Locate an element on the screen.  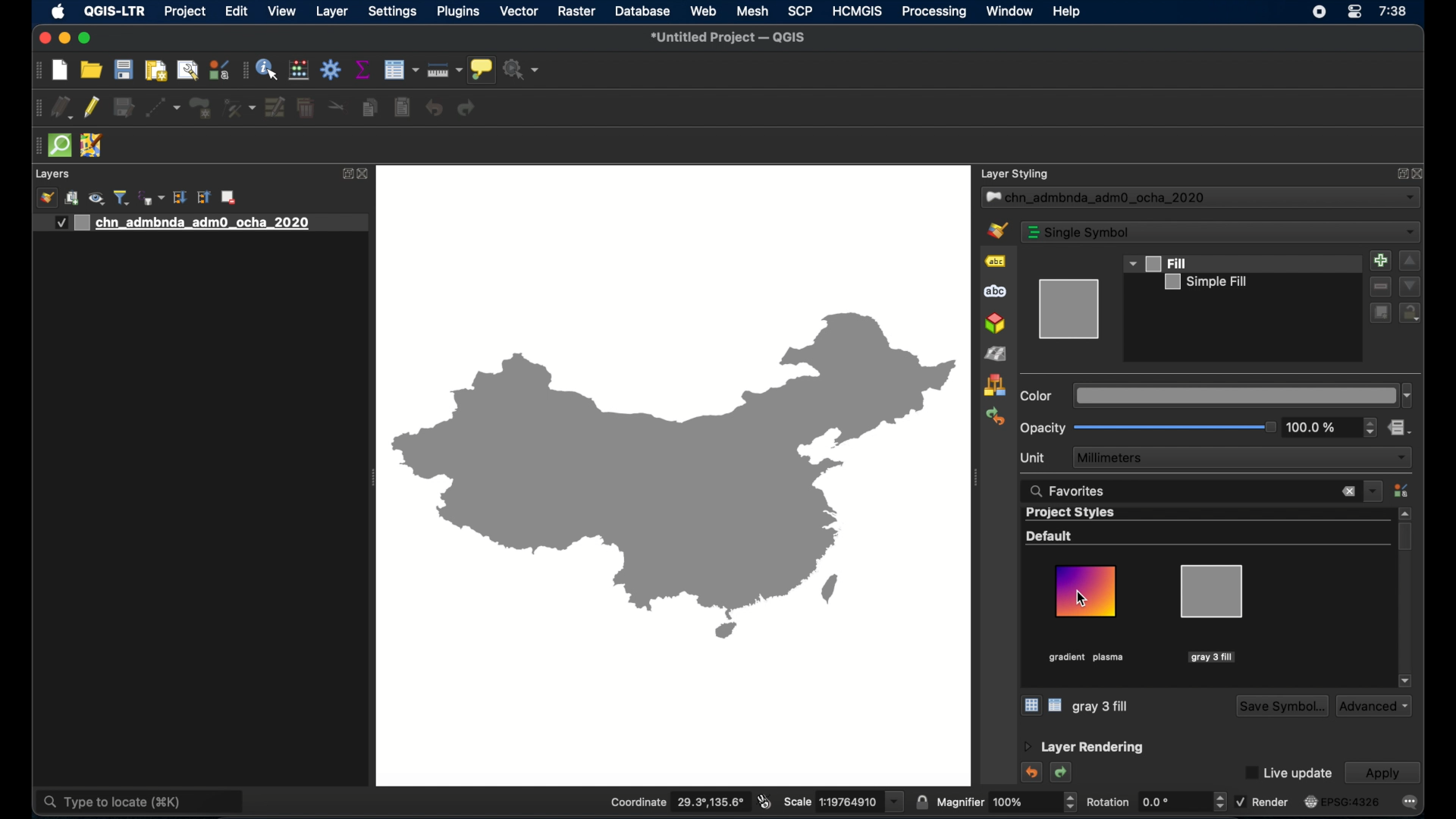
add group is located at coordinates (72, 199).